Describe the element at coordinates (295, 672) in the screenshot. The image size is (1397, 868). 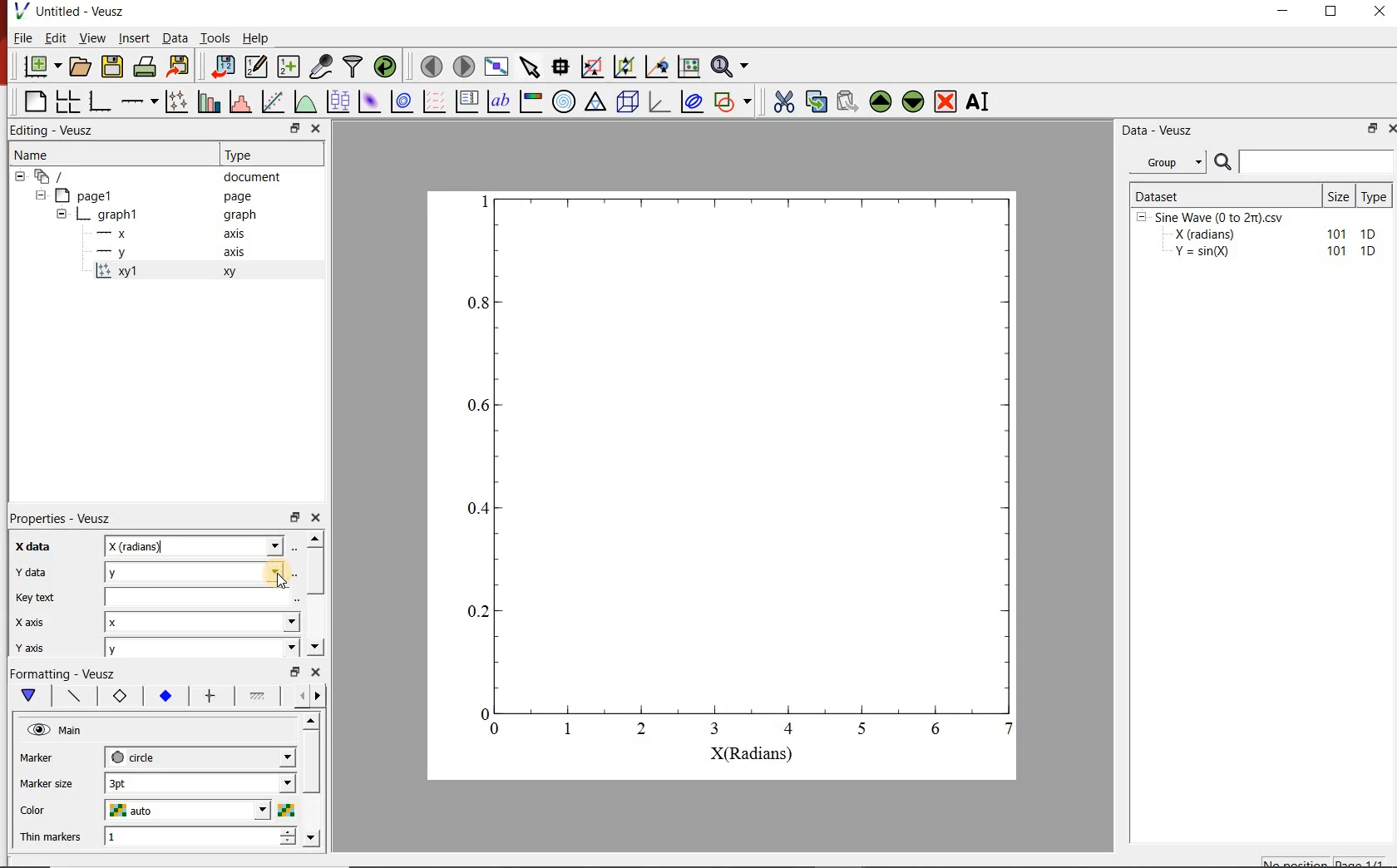
I see `Min/Max` at that location.